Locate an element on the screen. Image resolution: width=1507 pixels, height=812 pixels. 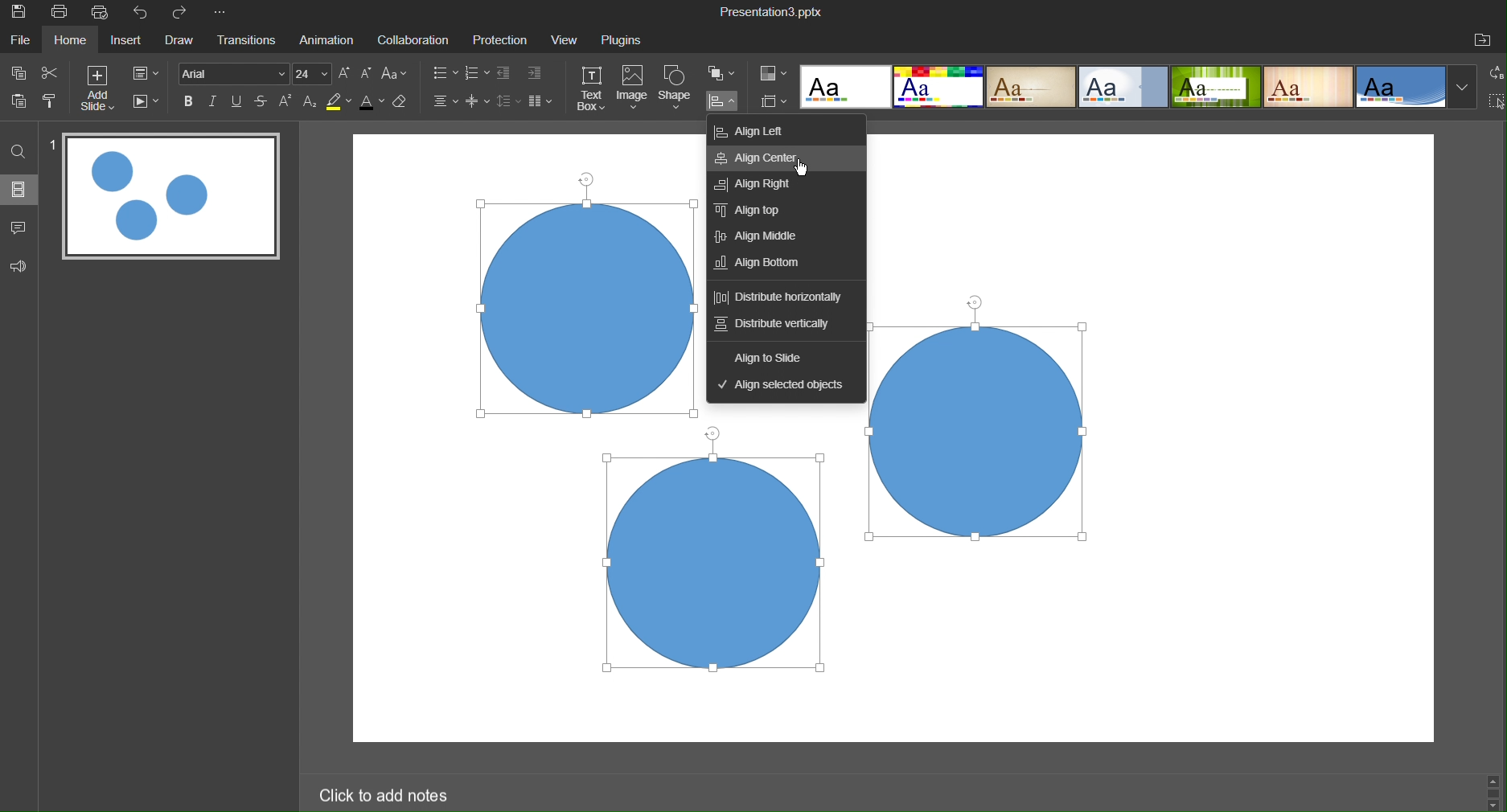
Strikethrough is located at coordinates (264, 101).